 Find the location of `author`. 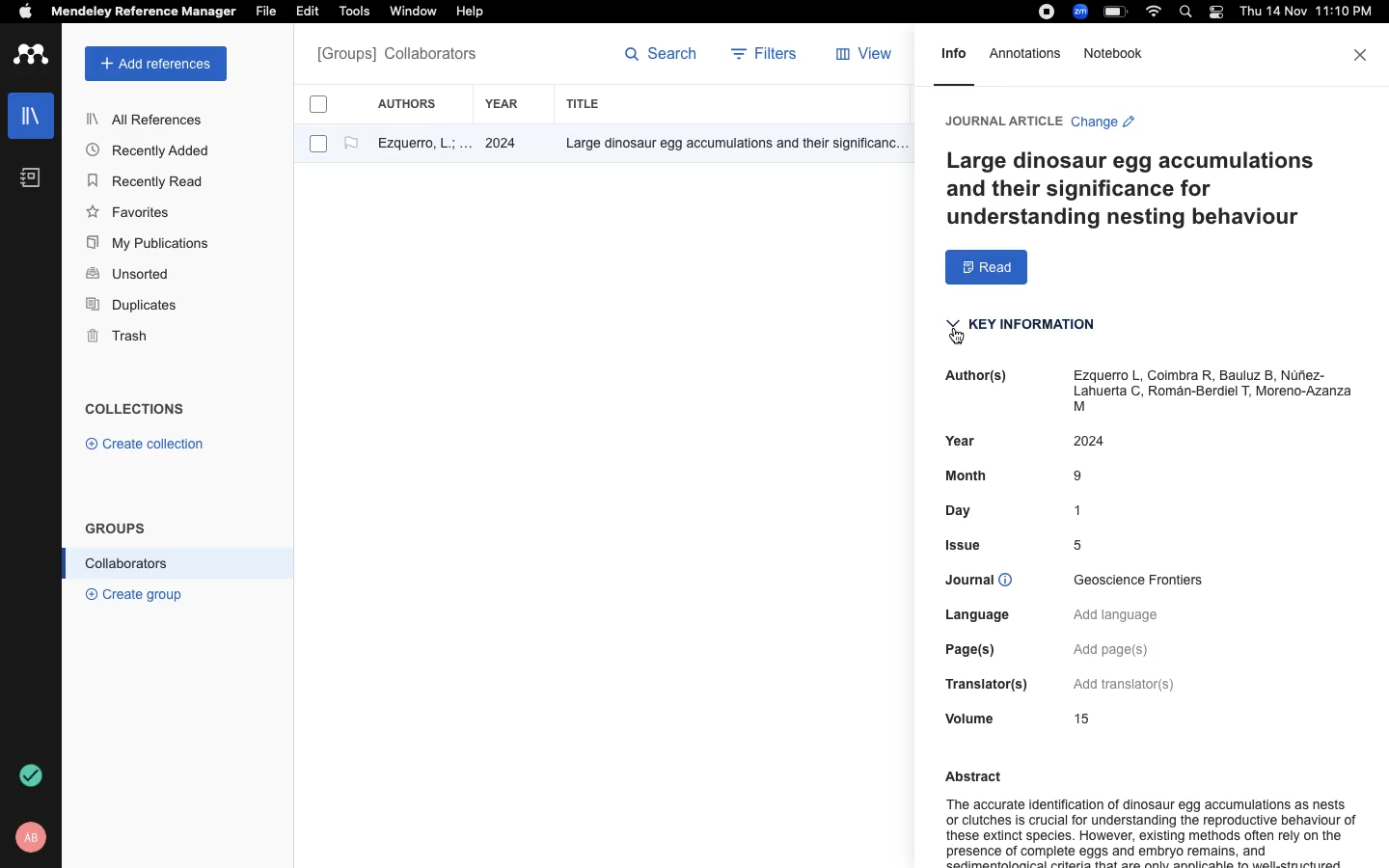

author is located at coordinates (416, 146).